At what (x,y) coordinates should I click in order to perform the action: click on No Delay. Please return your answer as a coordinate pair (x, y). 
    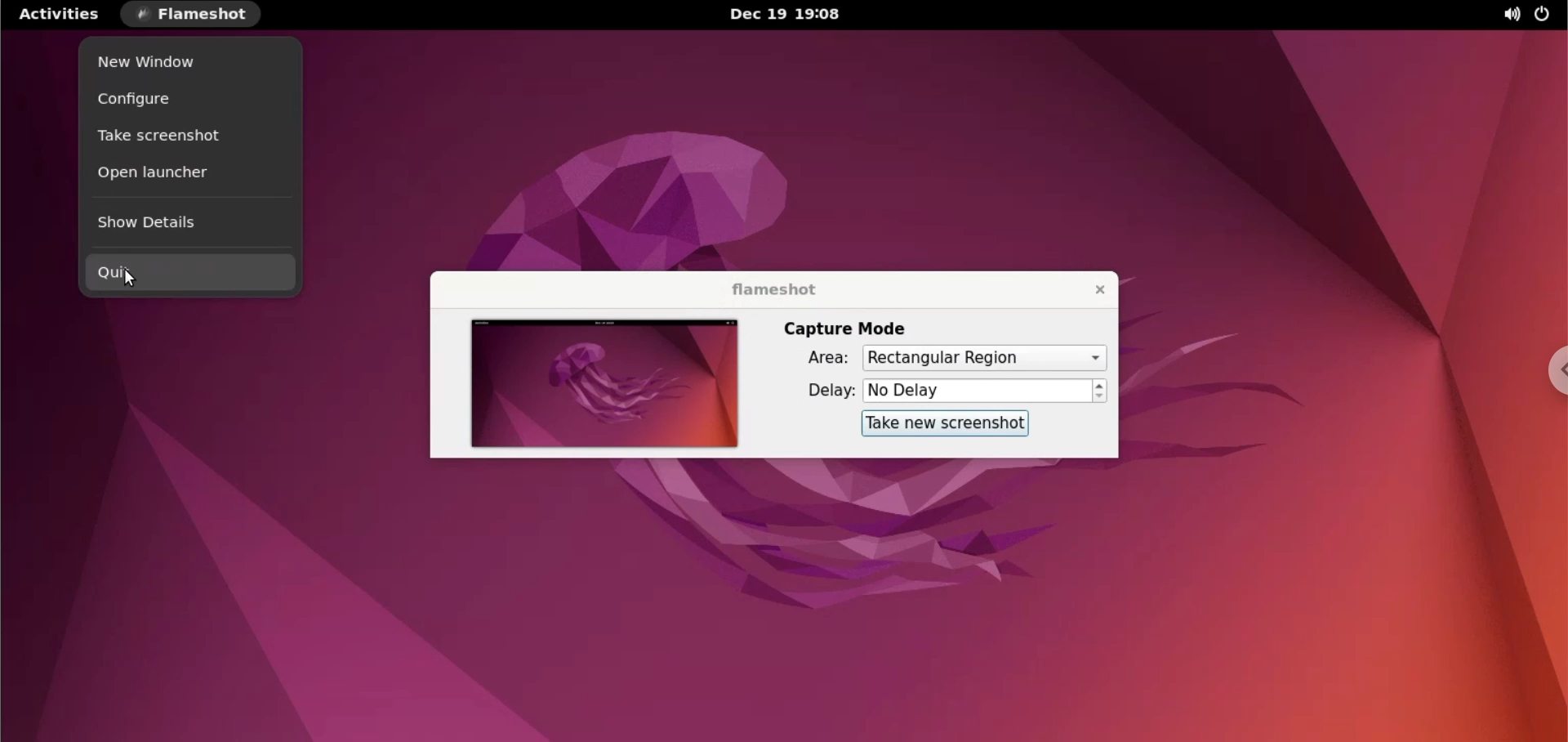
    Looking at the image, I should click on (976, 392).